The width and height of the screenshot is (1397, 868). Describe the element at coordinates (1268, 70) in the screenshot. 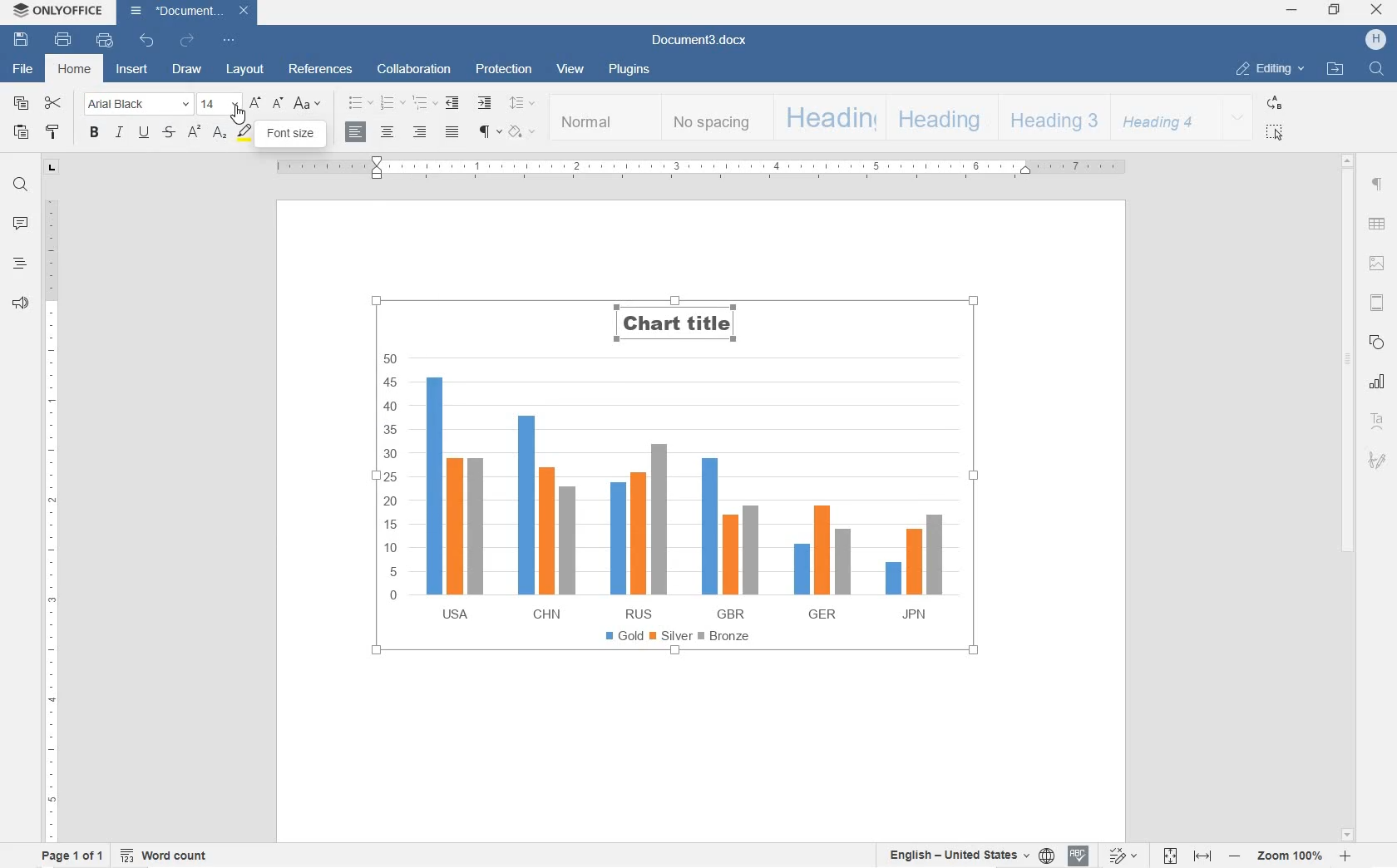

I see `EDITING` at that location.